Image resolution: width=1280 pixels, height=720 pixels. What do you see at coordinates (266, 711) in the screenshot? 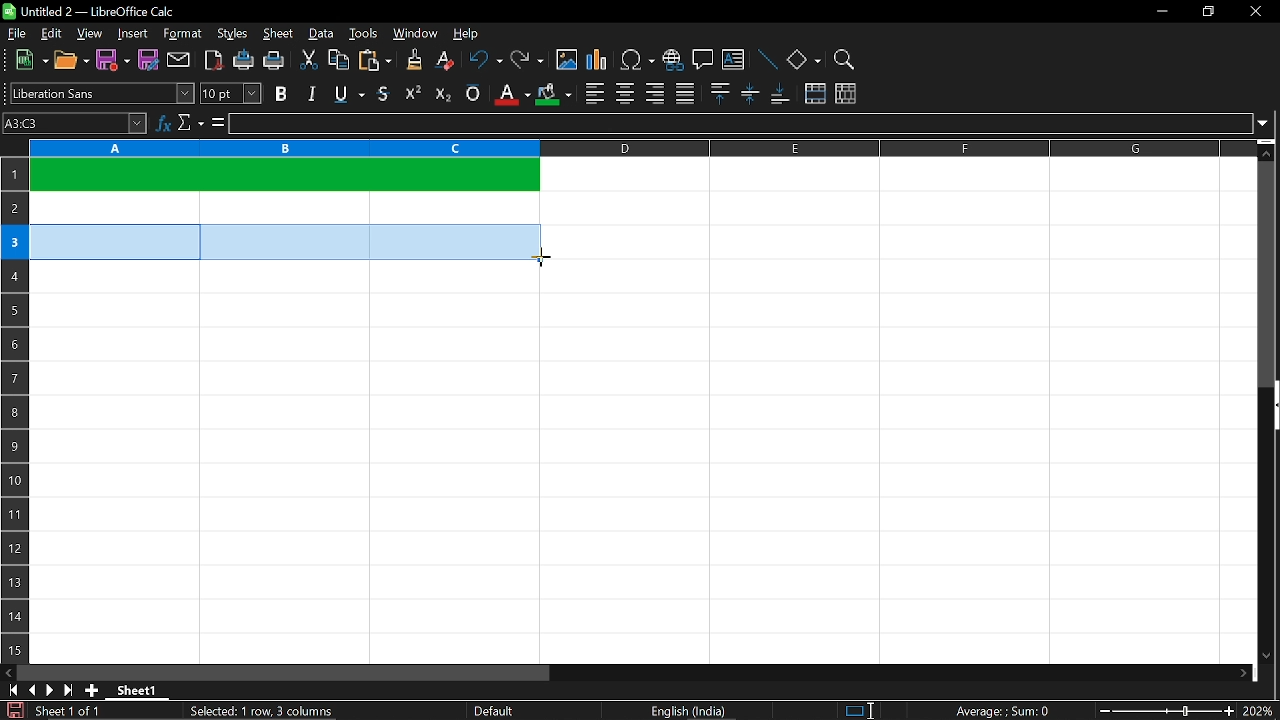
I see `Selected: 1 row, 3 columns` at bounding box center [266, 711].